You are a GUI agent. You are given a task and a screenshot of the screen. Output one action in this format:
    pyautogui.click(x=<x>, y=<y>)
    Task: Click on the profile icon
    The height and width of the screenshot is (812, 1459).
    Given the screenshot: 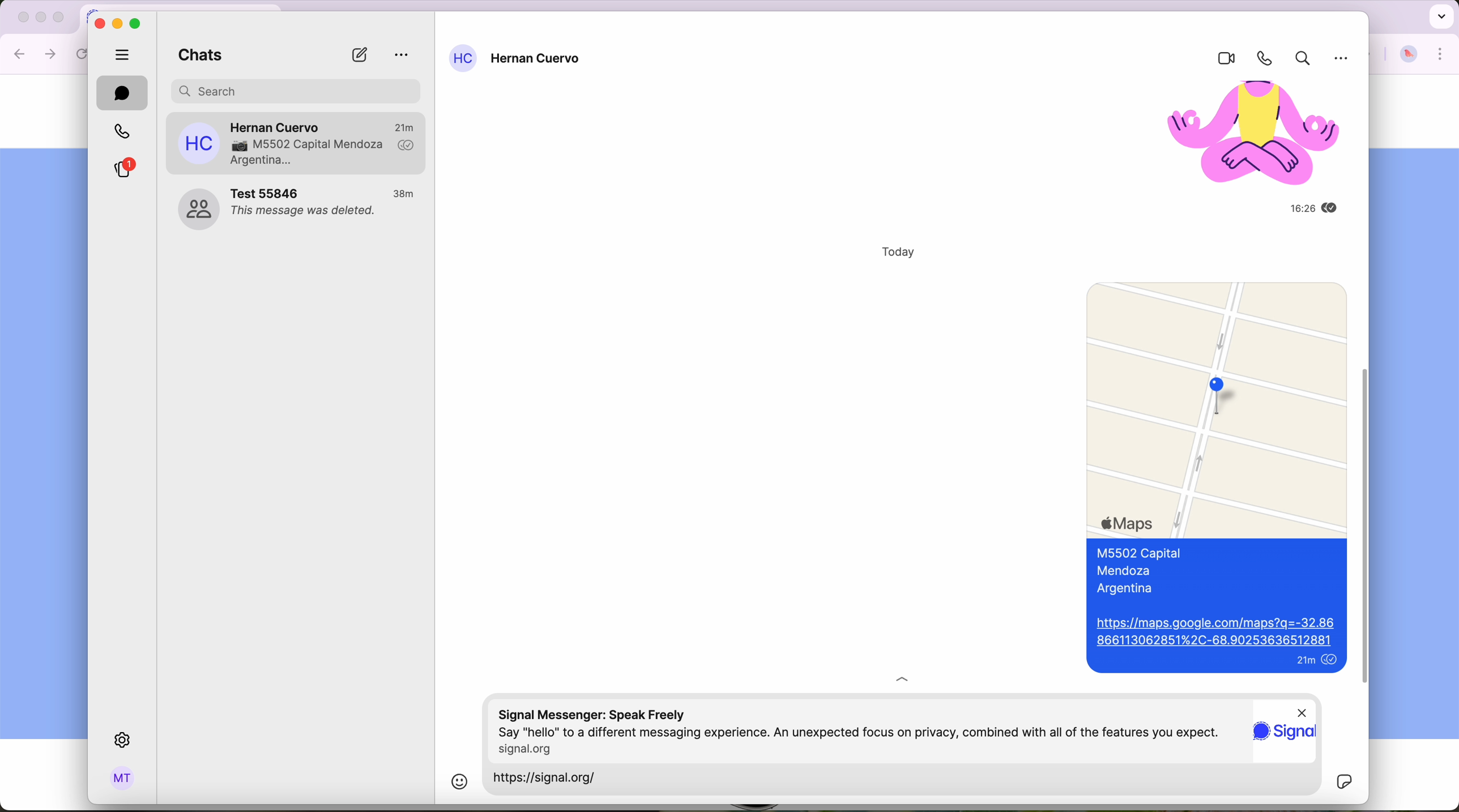 What is the action you would take?
    pyautogui.click(x=463, y=58)
    